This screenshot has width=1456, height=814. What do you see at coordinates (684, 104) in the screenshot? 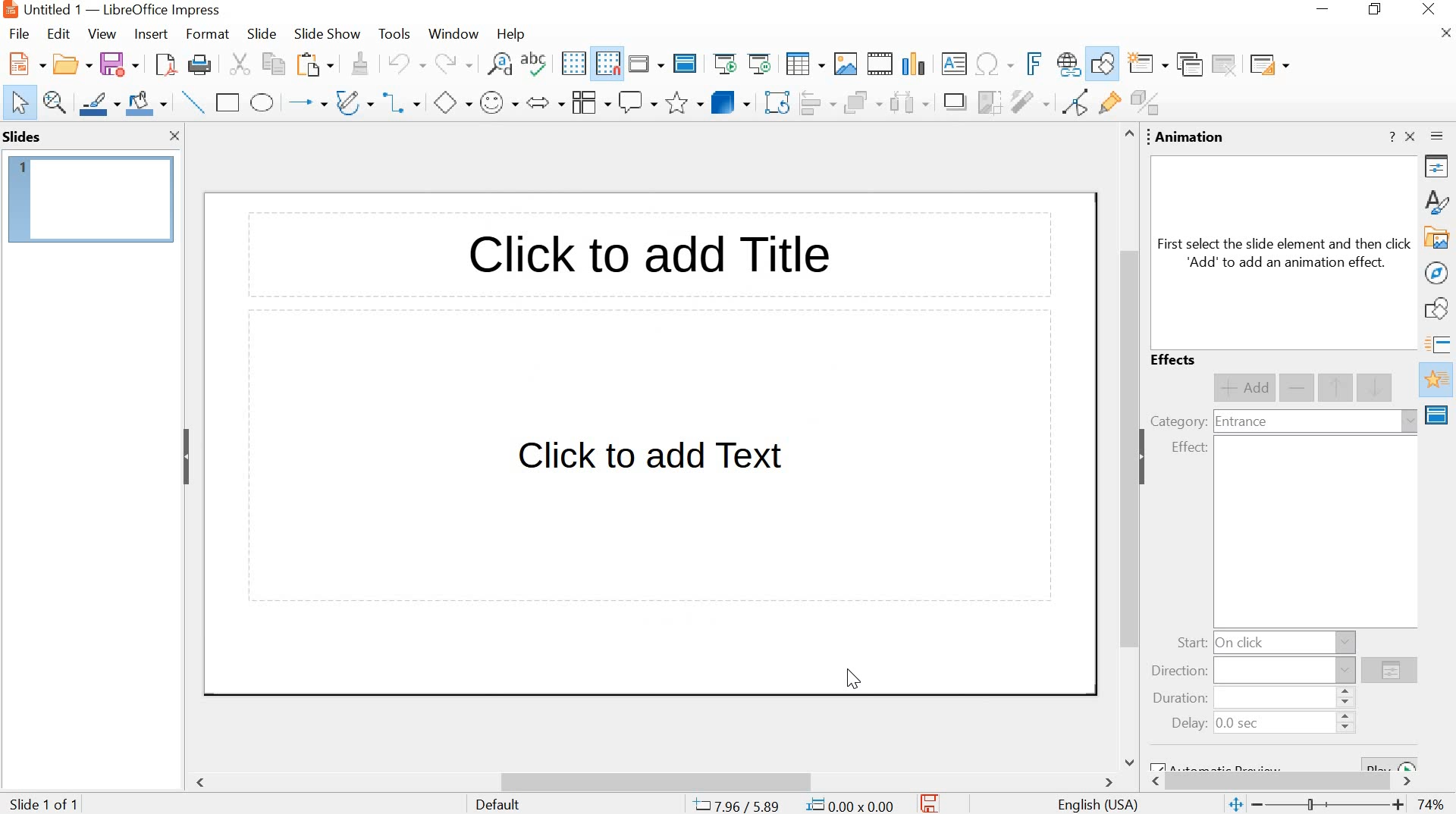
I see `stars and banners` at bounding box center [684, 104].